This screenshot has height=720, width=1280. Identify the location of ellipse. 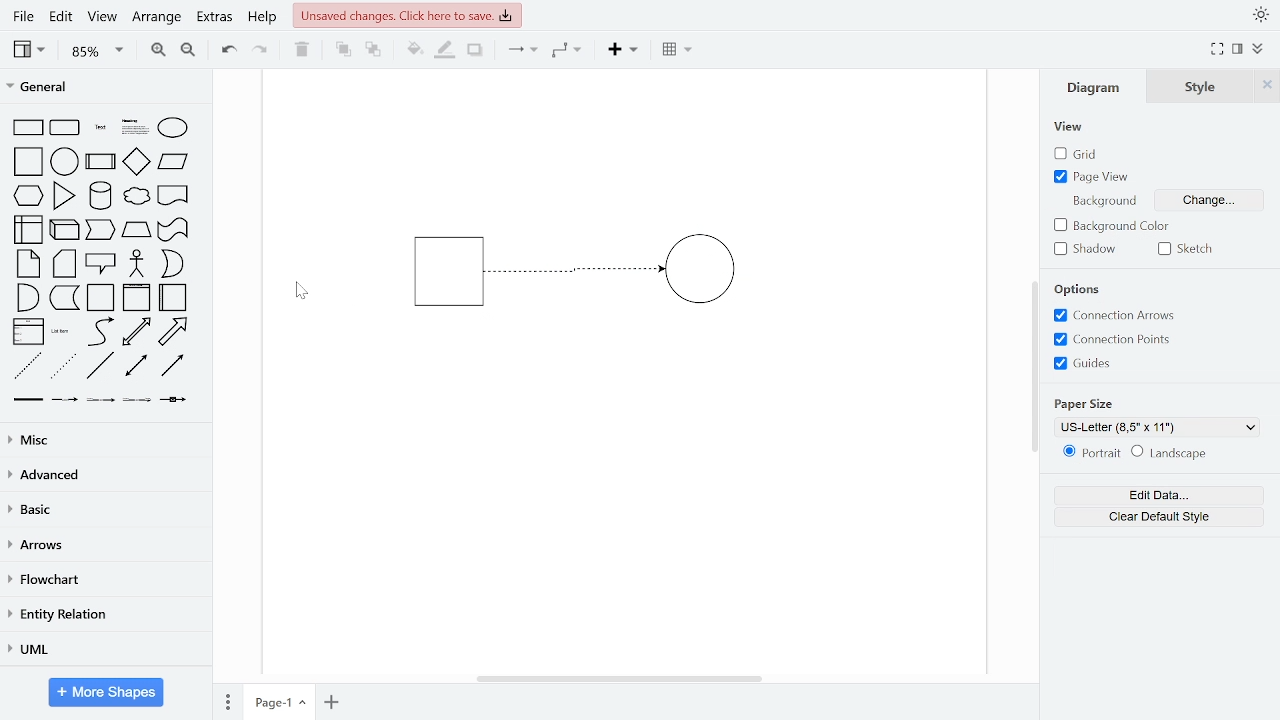
(177, 129).